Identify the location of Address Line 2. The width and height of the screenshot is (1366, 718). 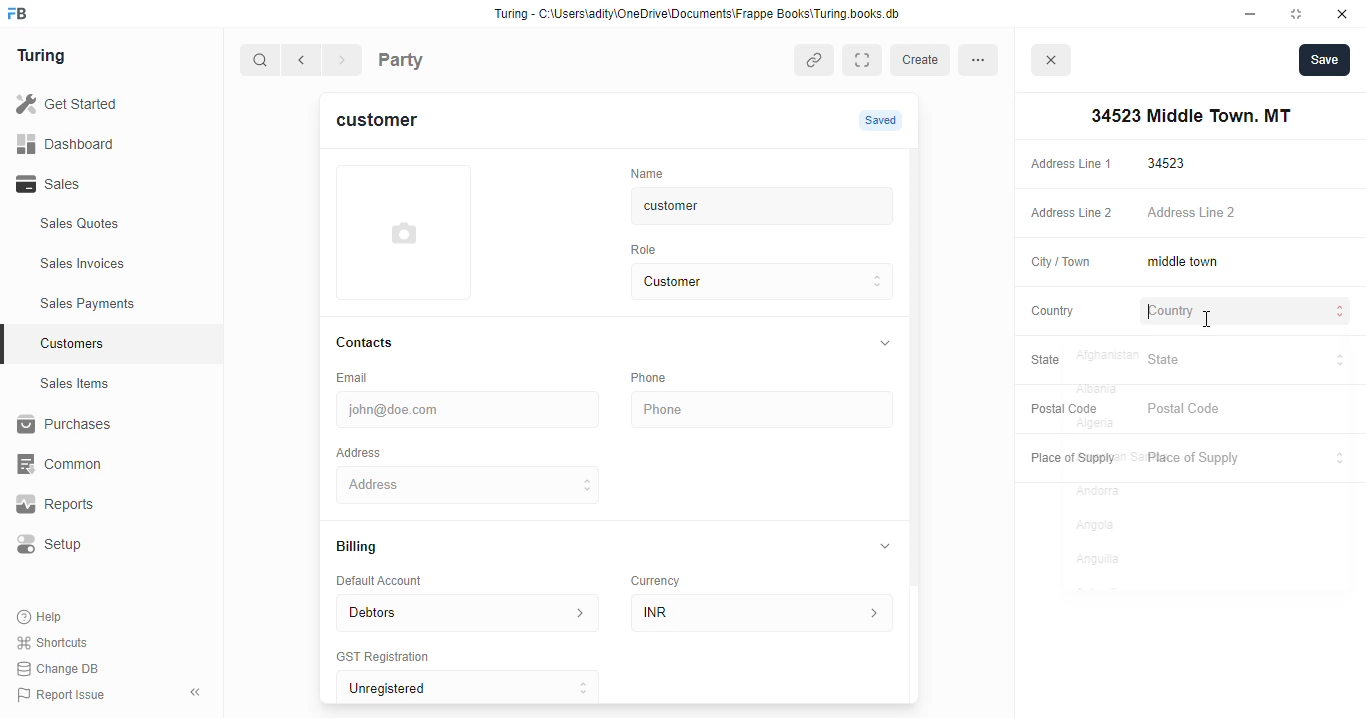
(1248, 214).